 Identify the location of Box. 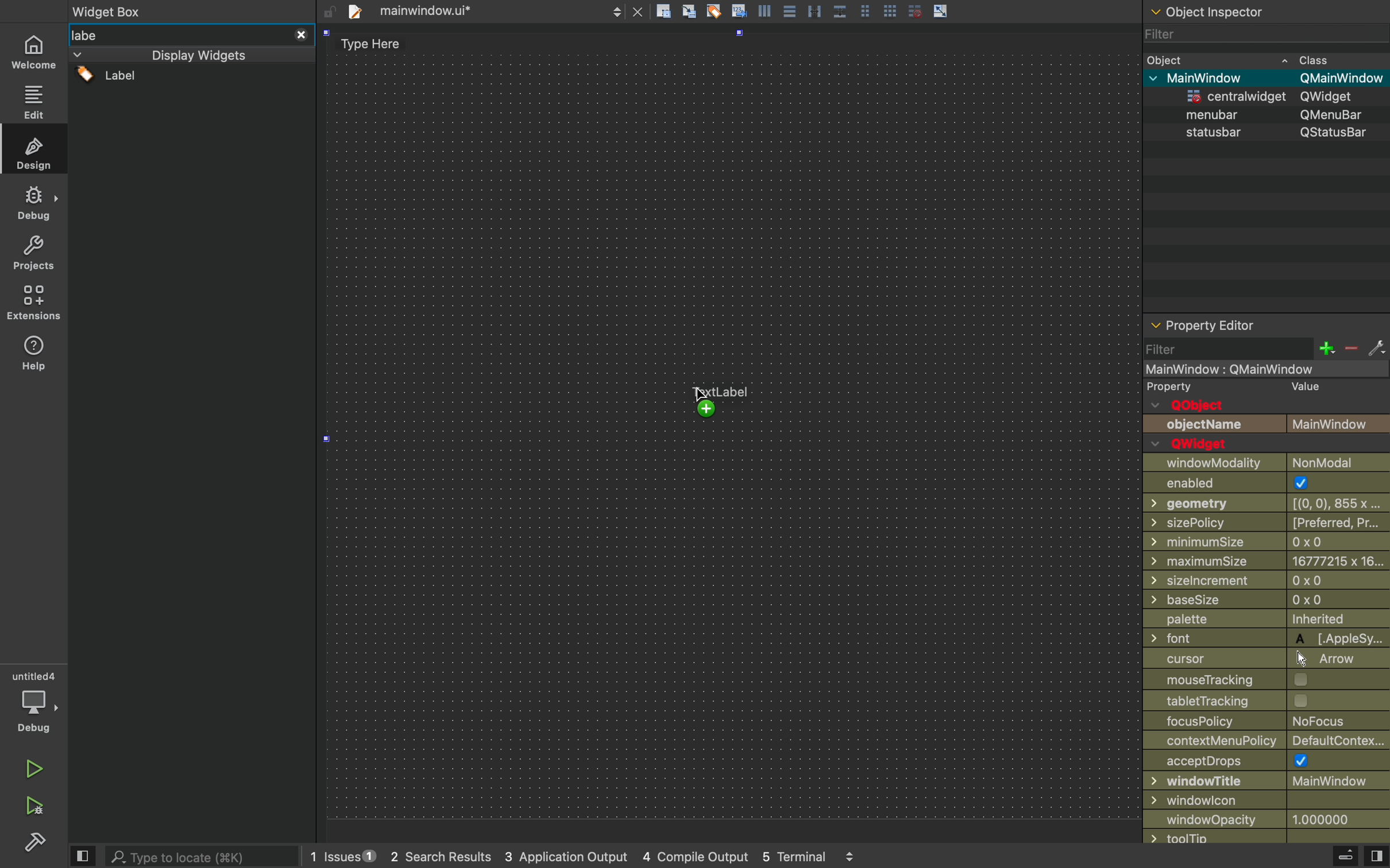
(841, 9).